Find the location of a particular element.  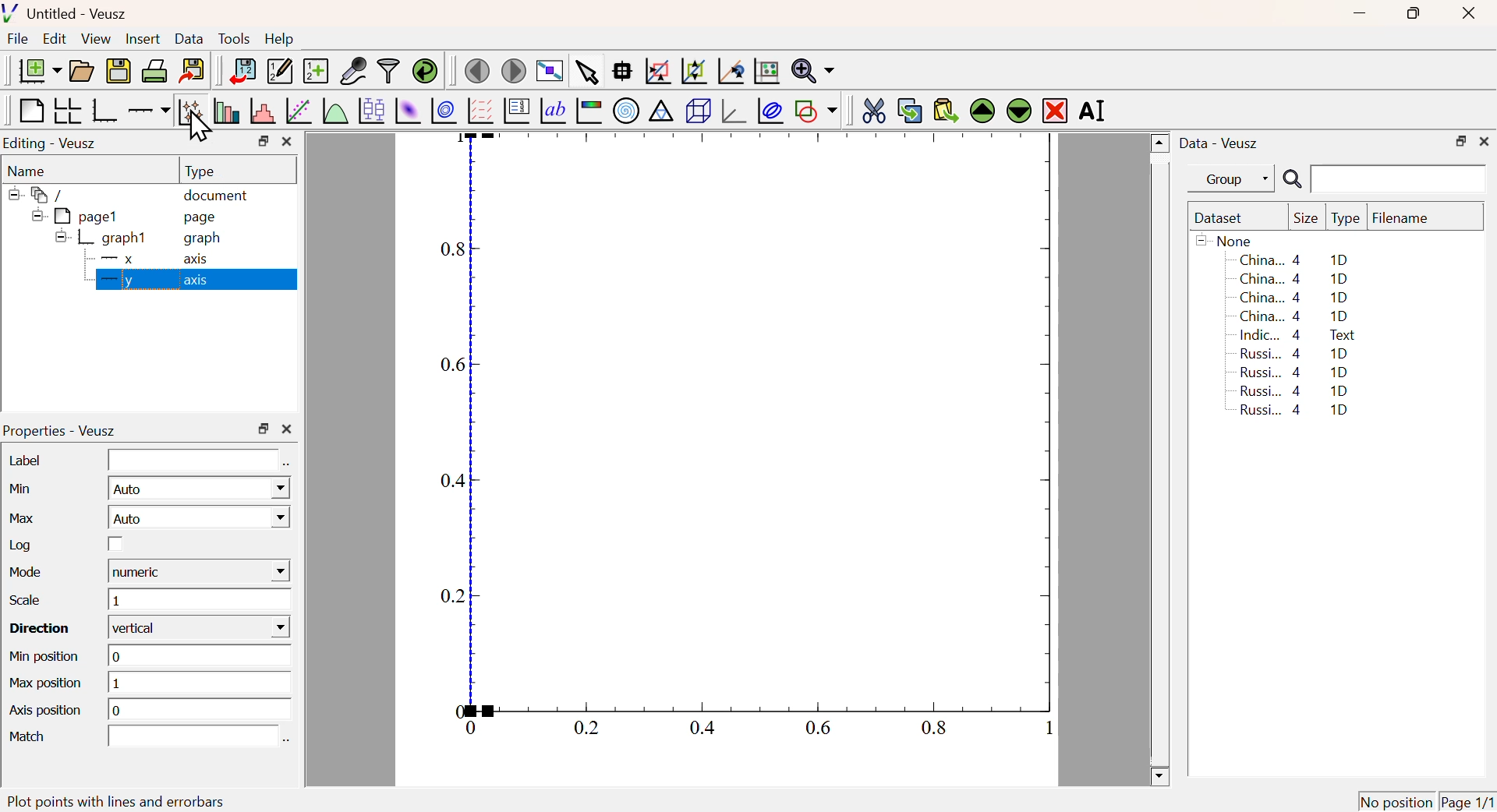

/ is located at coordinates (39, 195).